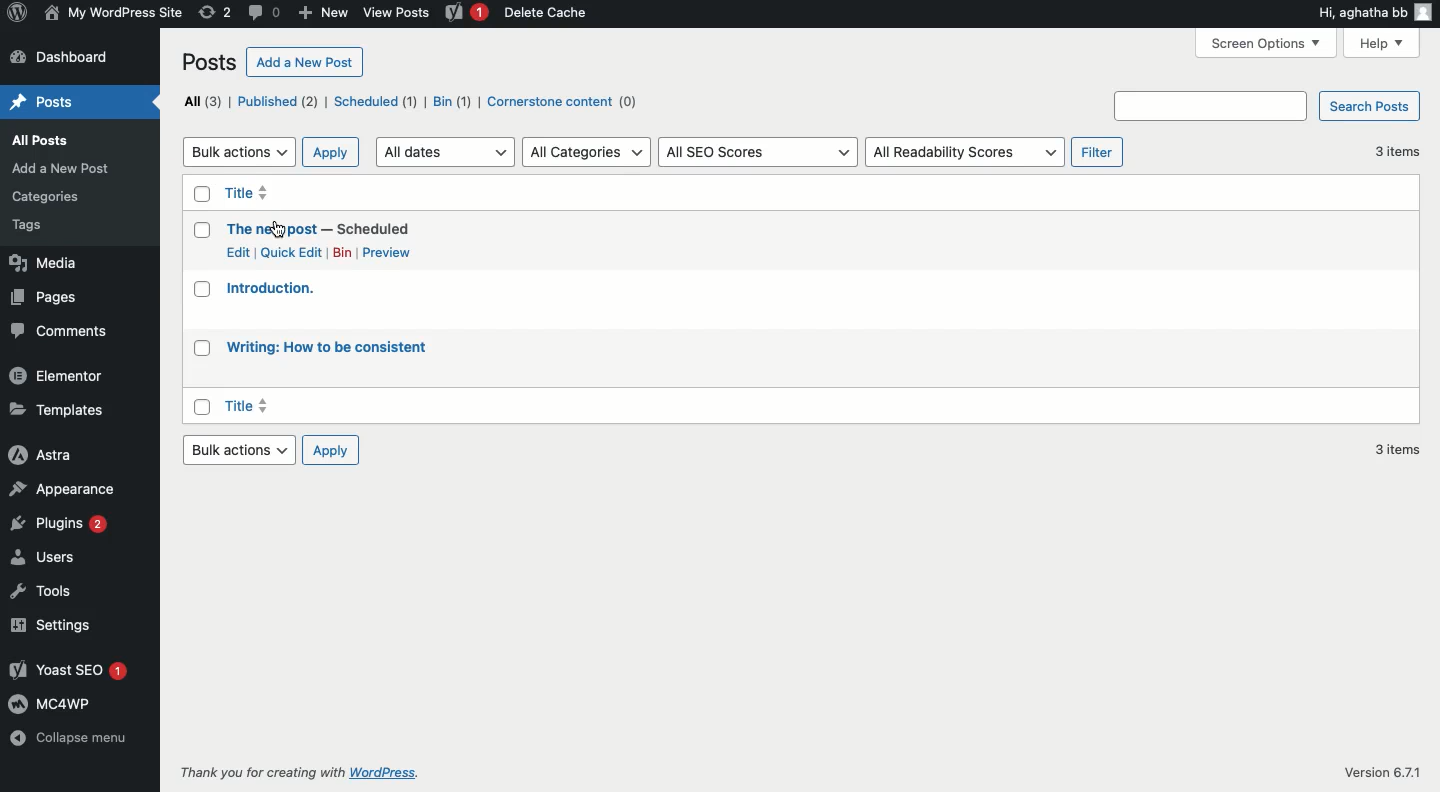 This screenshot has height=792, width=1440. What do you see at coordinates (39, 140) in the screenshot?
I see `All Posts` at bounding box center [39, 140].